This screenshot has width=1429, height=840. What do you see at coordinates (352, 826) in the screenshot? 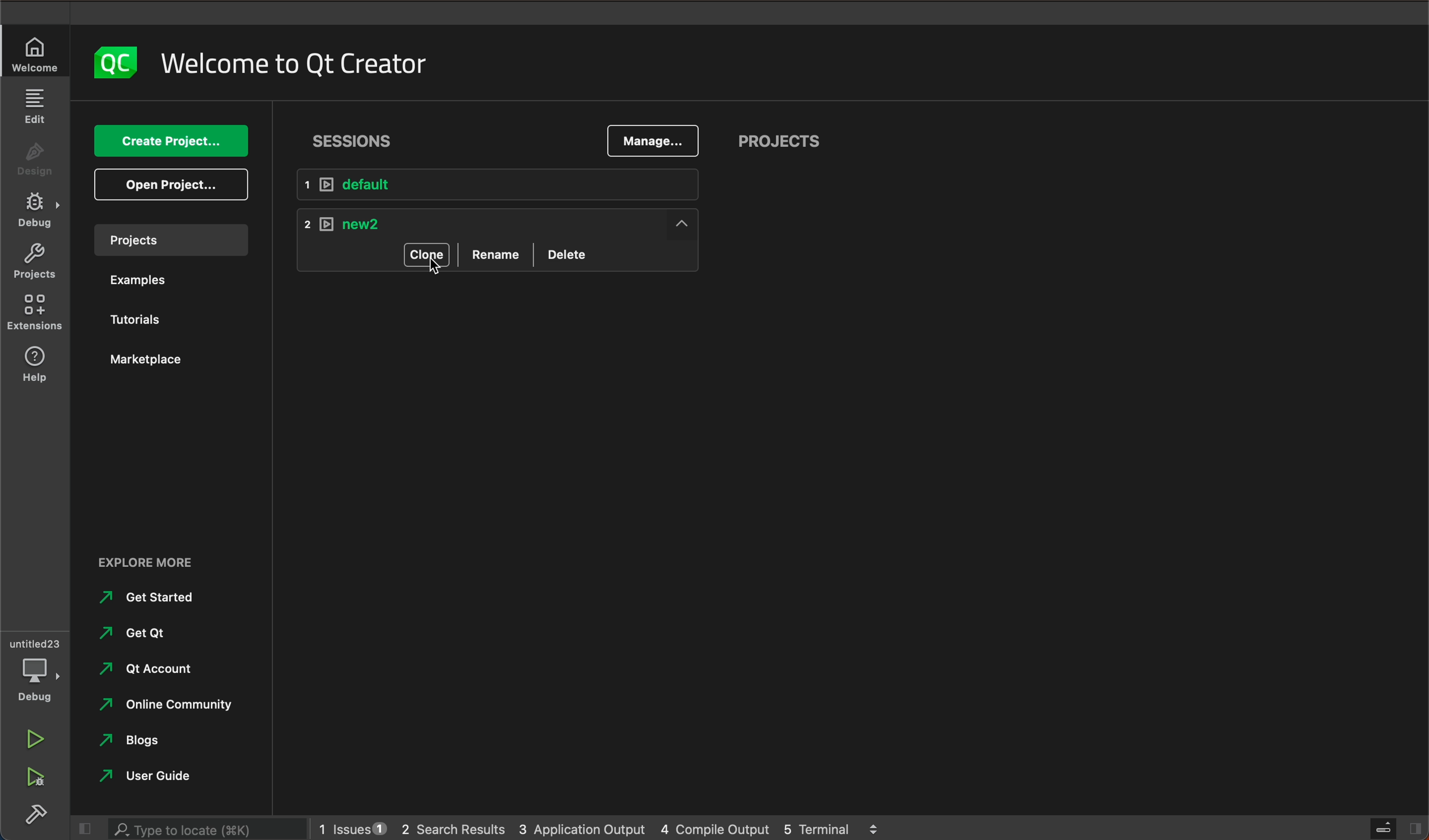
I see `issues` at bounding box center [352, 826].